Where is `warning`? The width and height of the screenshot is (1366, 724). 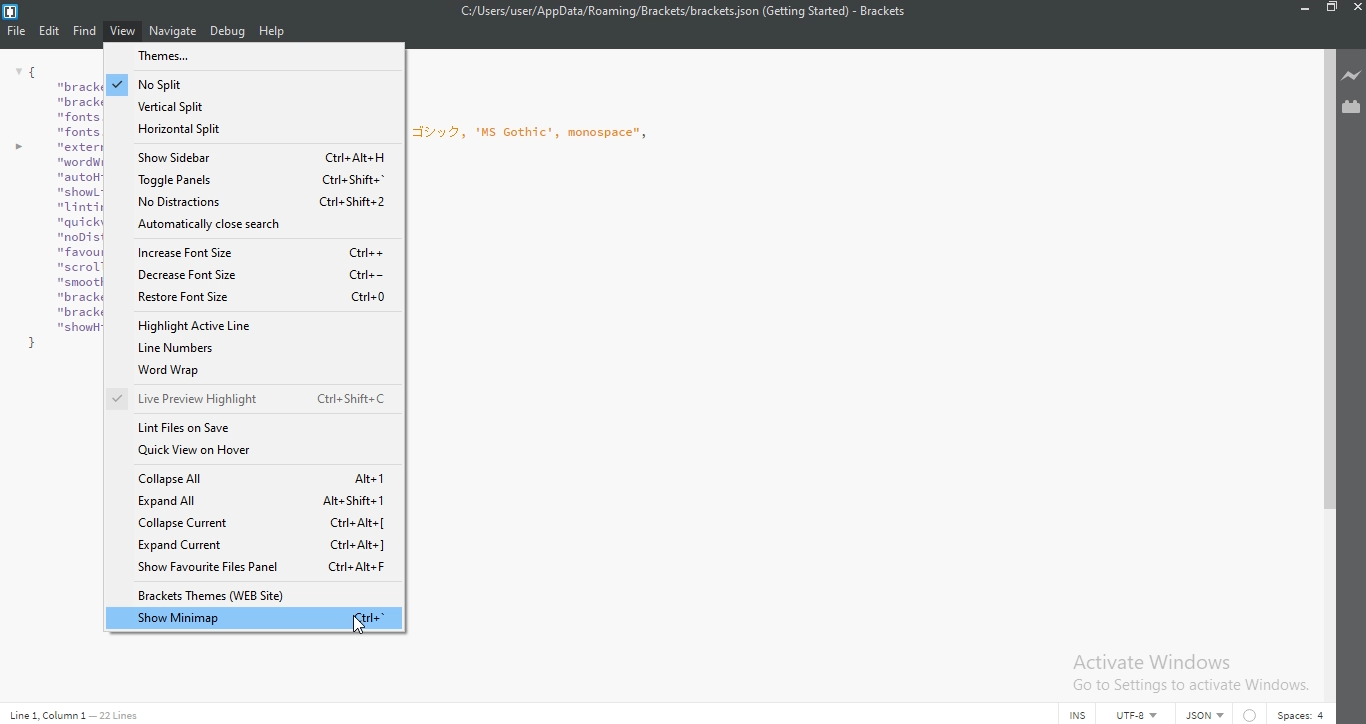
warning is located at coordinates (1250, 714).